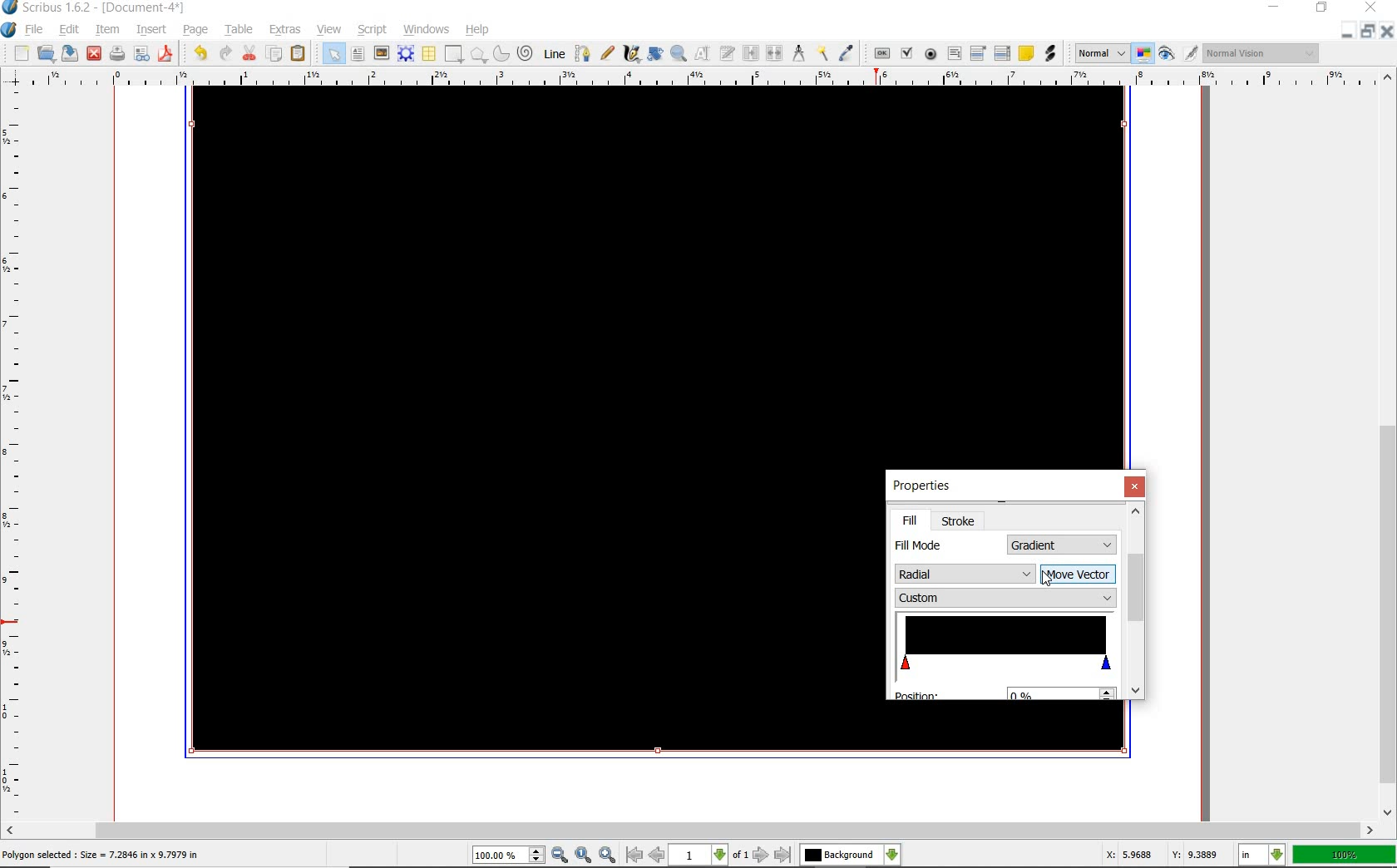 Image resolution: width=1397 pixels, height=868 pixels. I want to click on item, so click(106, 29).